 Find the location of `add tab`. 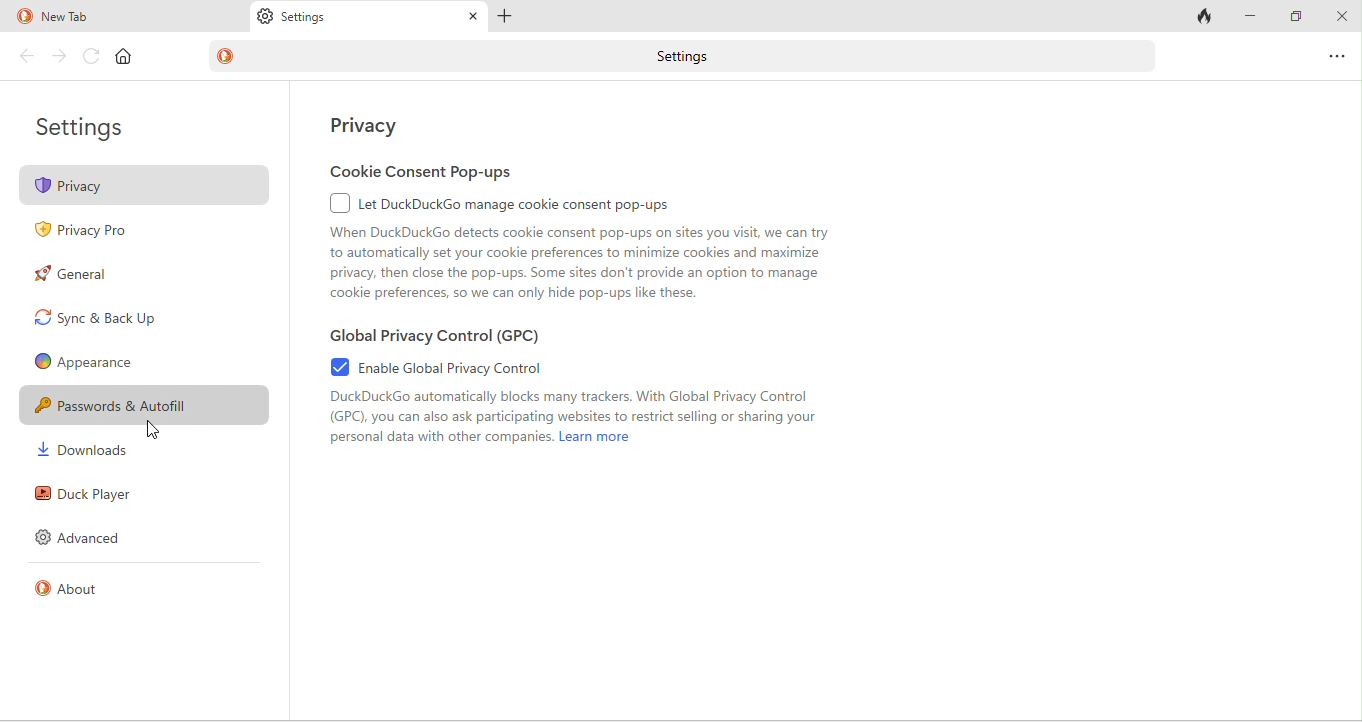

add tab is located at coordinates (505, 17).